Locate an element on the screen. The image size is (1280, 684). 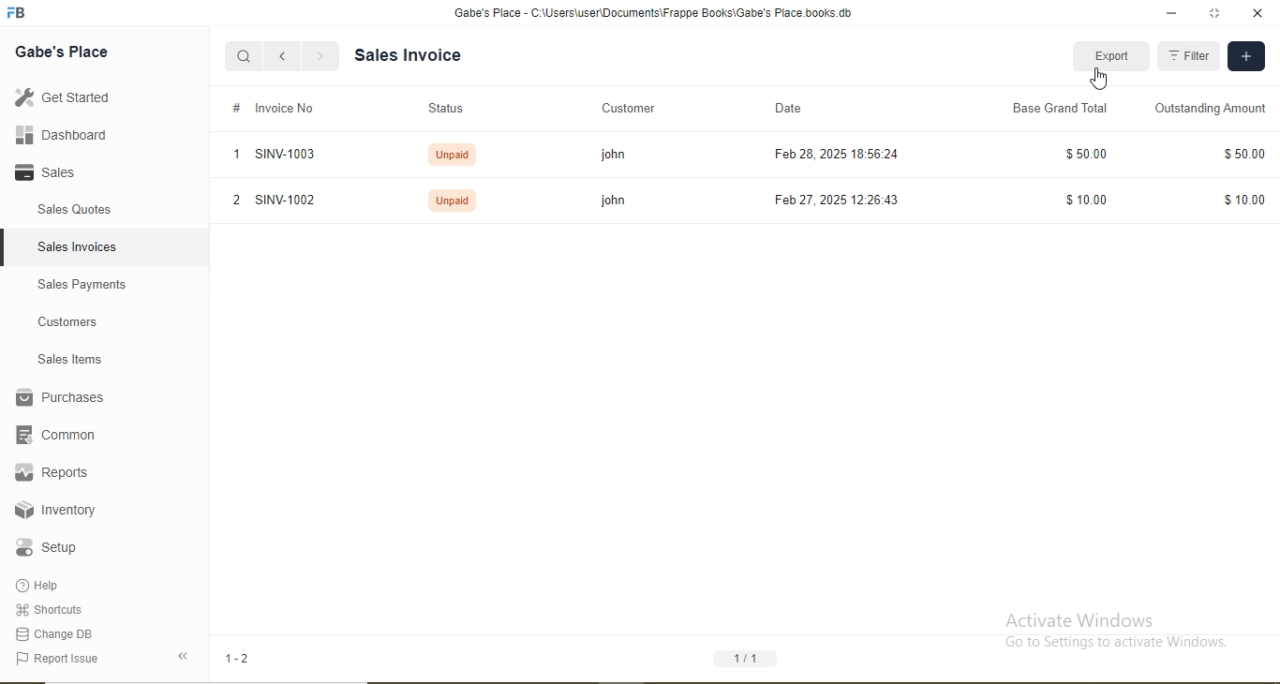
Reports is located at coordinates (51, 470).